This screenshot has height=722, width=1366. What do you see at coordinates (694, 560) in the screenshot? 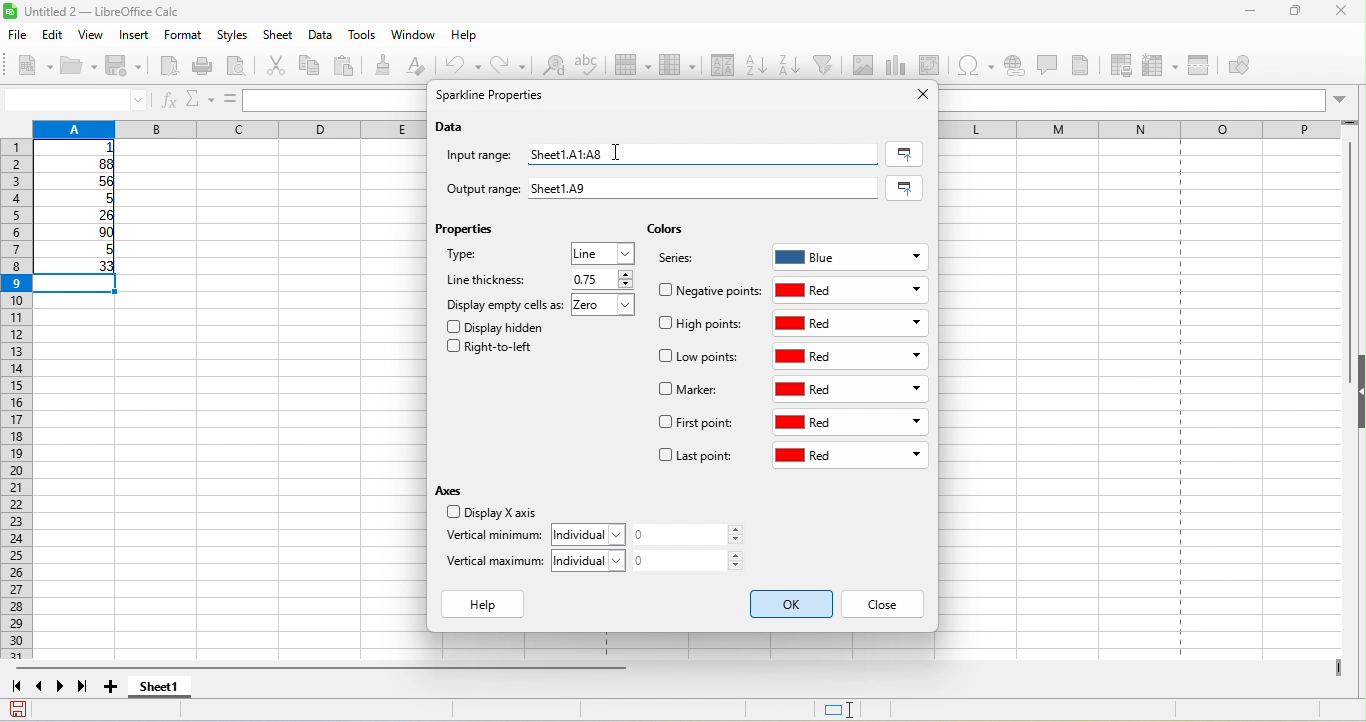
I see `0` at bounding box center [694, 560].